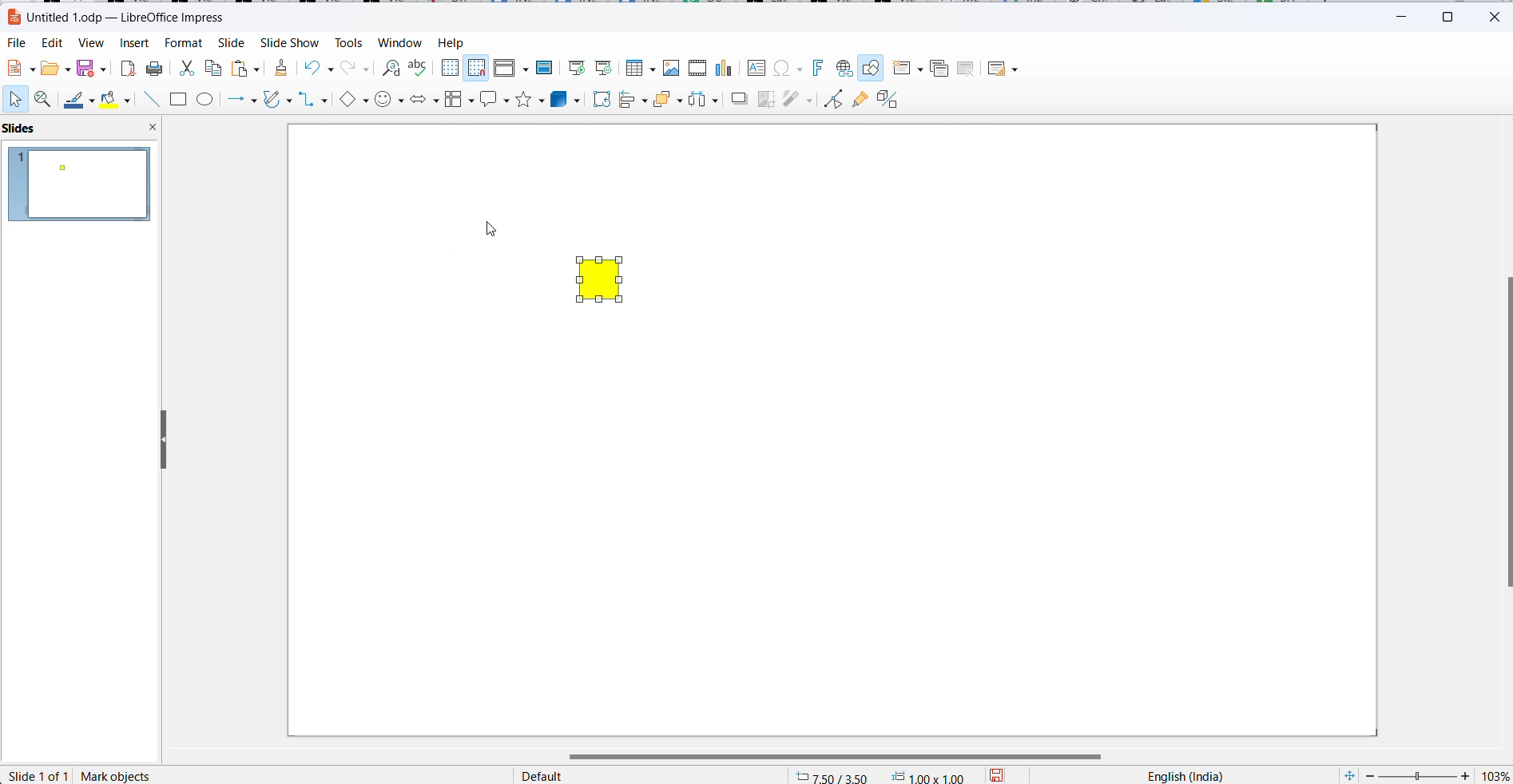  I want to click on print, so click(156, 70).